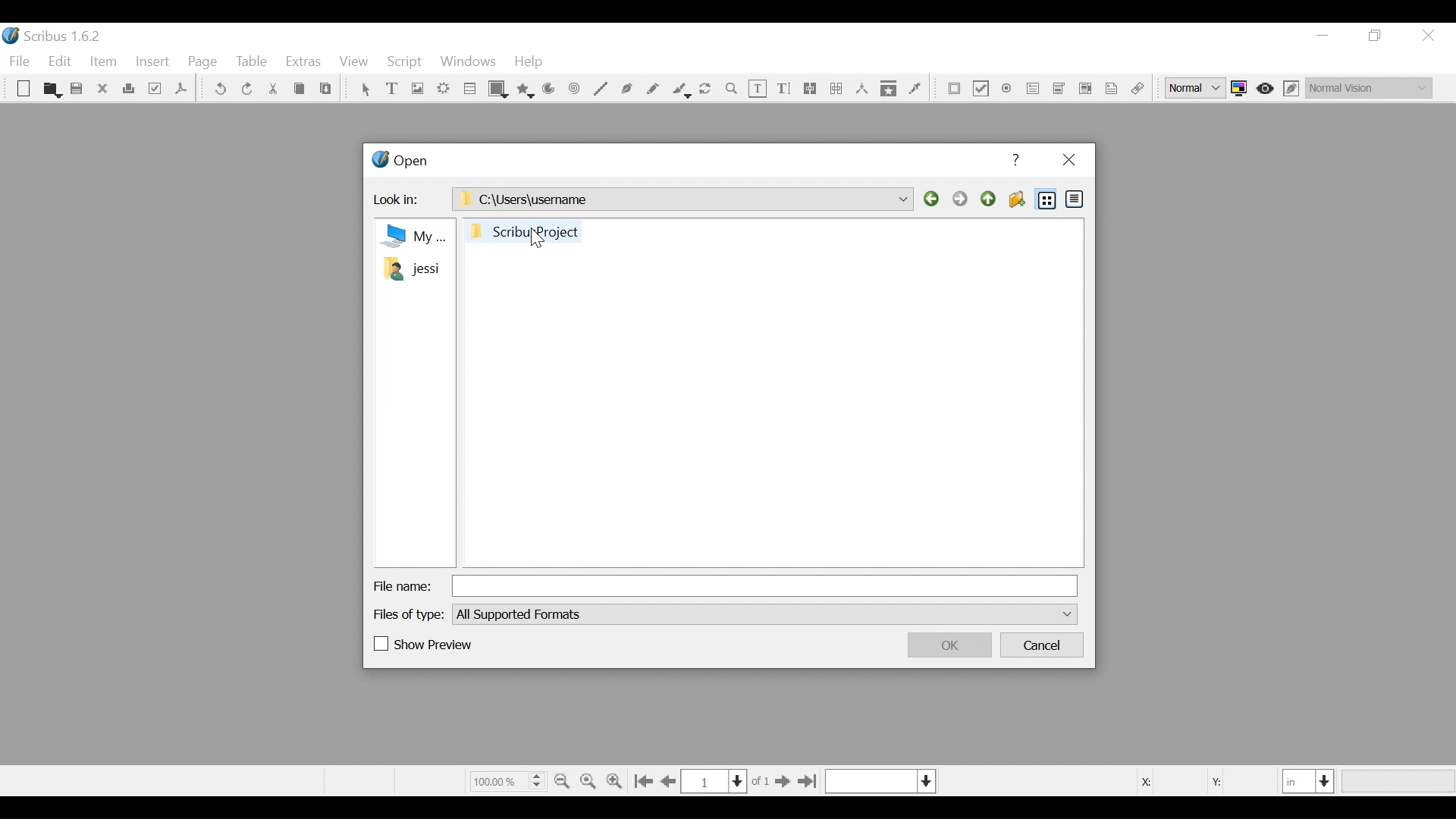  What do you see at coordinates (353, 63) in the screenshot?
I see `View` at bounding box center [353, 63].